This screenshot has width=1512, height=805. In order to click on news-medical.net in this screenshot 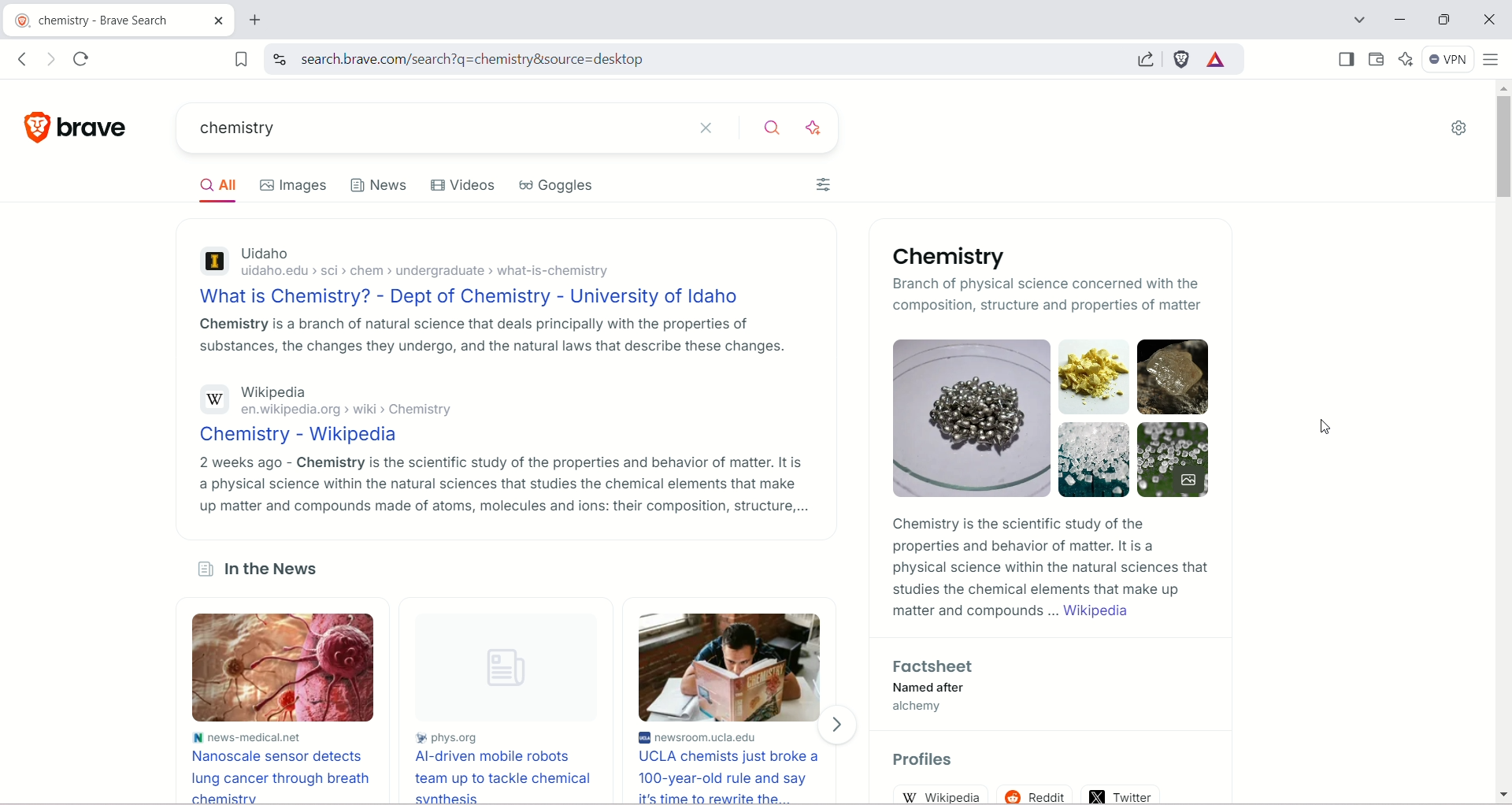, I will do `click(252, 738)`.